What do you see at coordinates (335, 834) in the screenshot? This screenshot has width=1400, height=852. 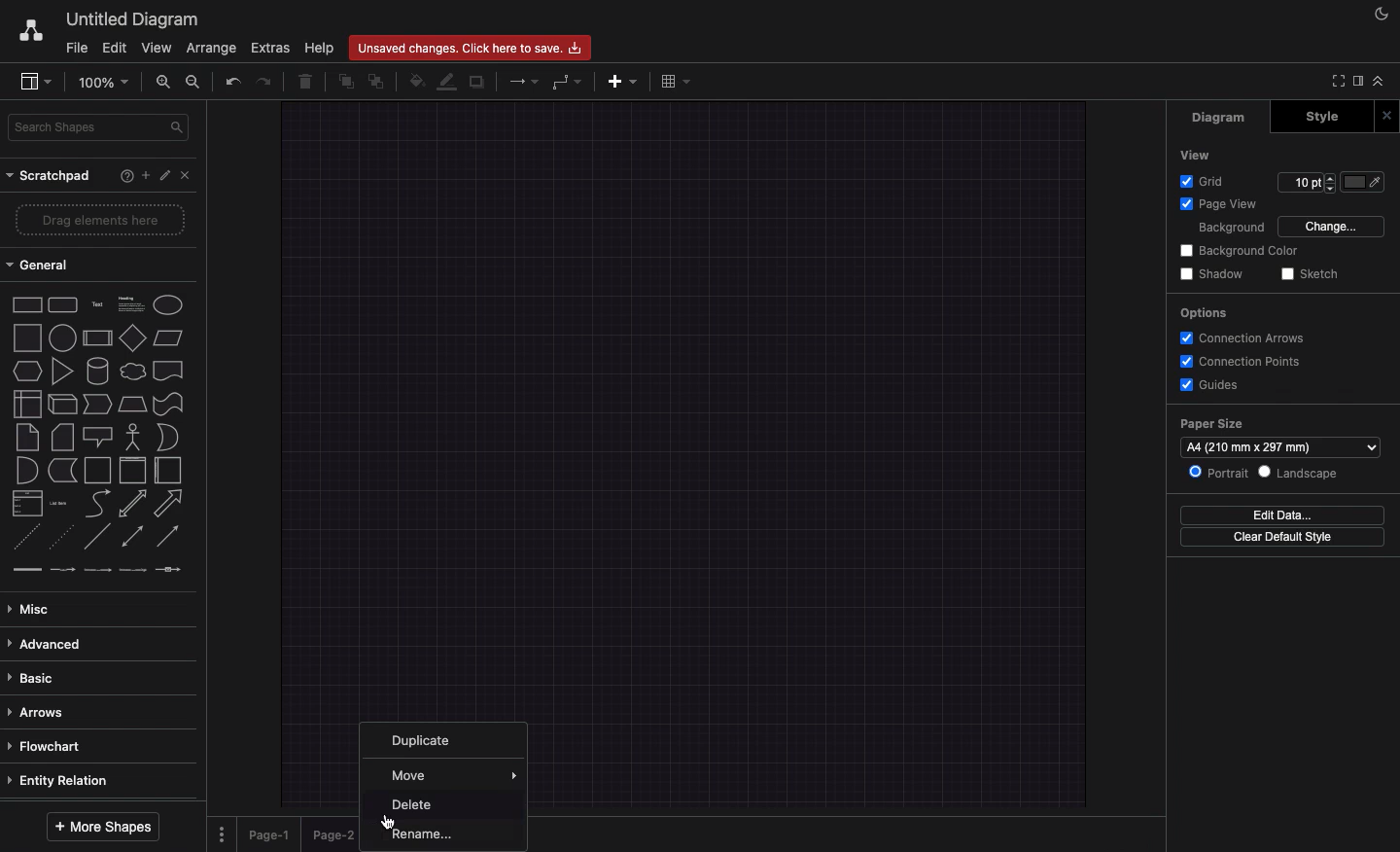 I see `Page 2` at bounding box center [335, 834].